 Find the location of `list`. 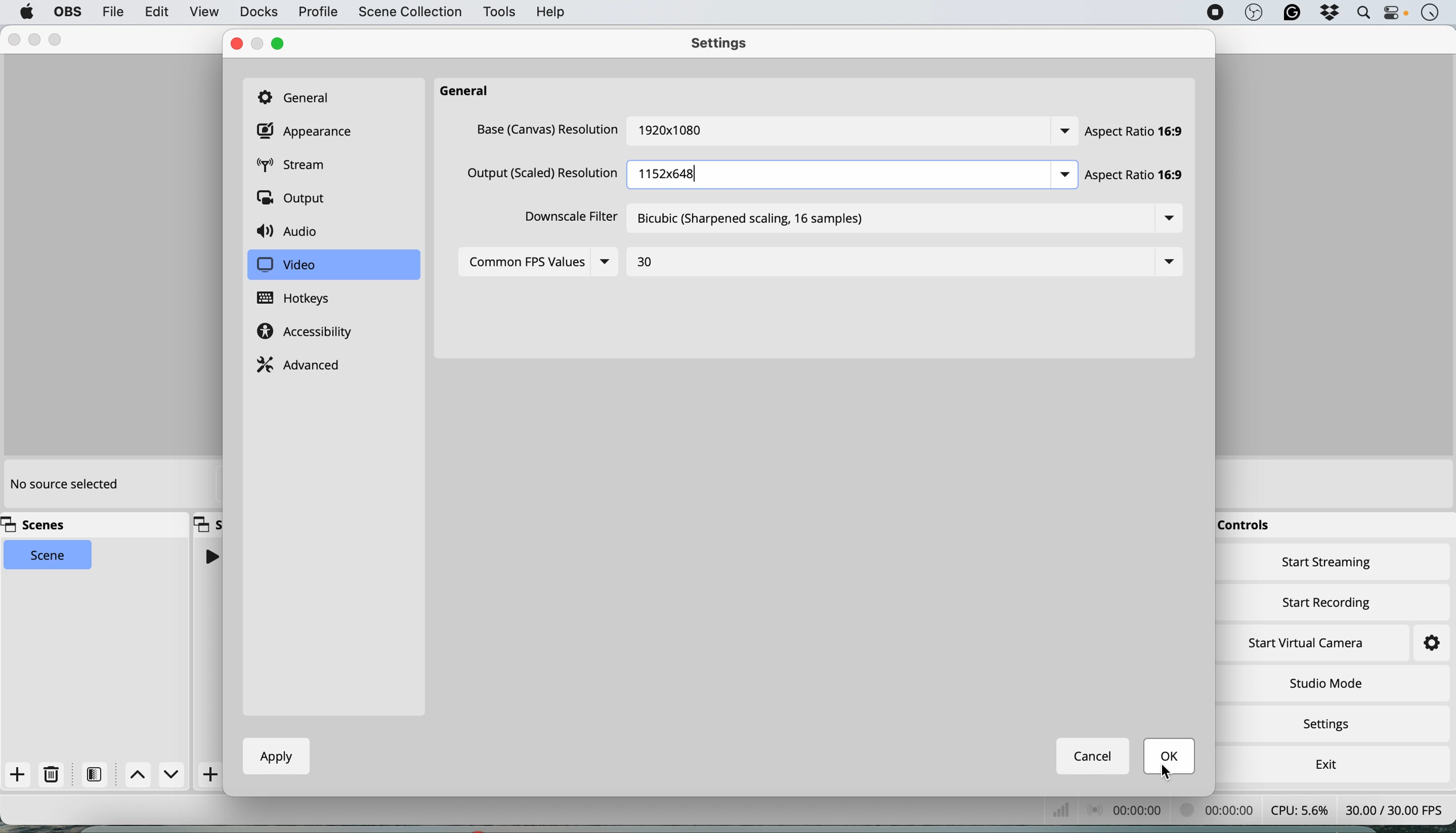

list is located at coordinates (1169, 220).